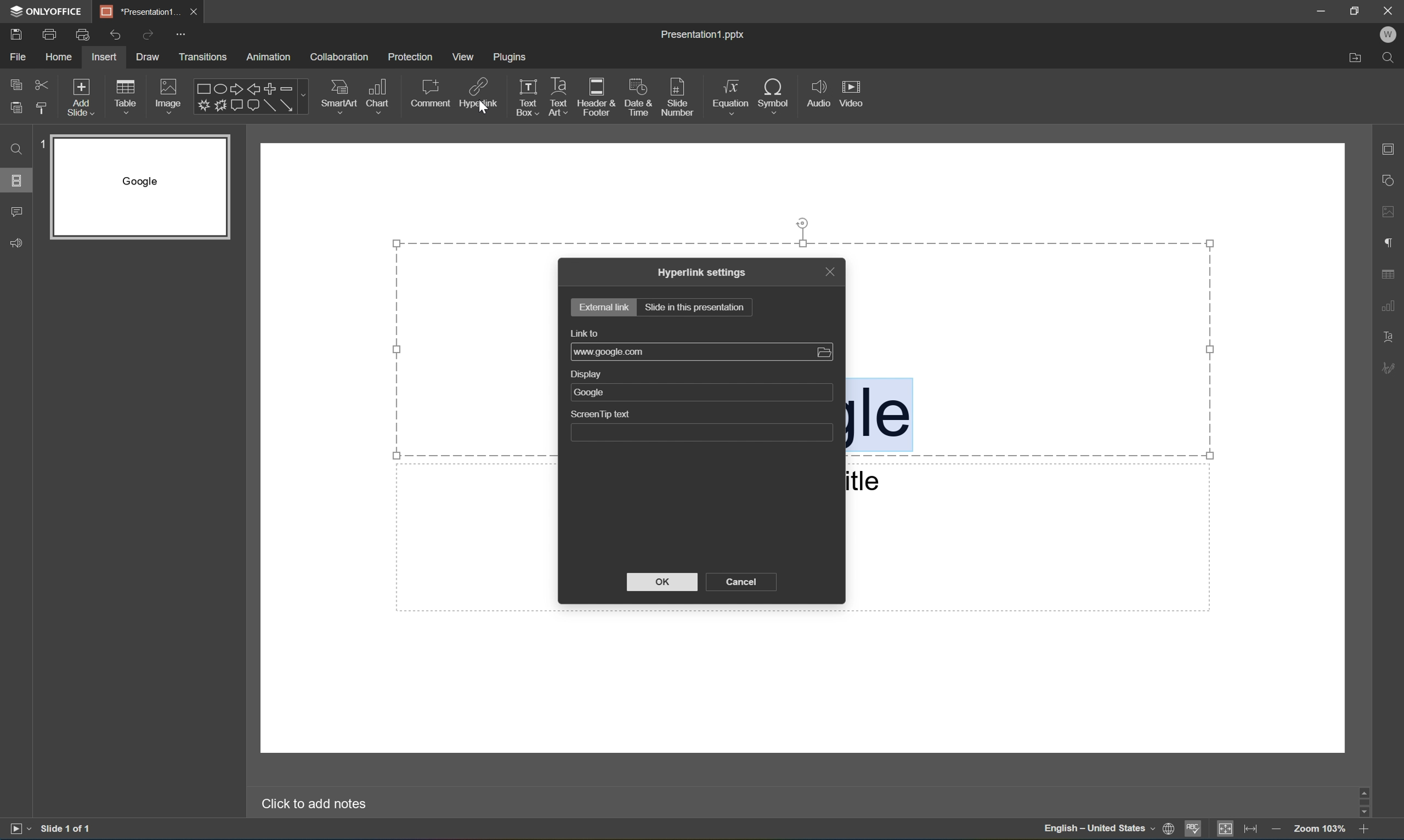  I want to click on Slide 1 of 1, so click(69, 829).